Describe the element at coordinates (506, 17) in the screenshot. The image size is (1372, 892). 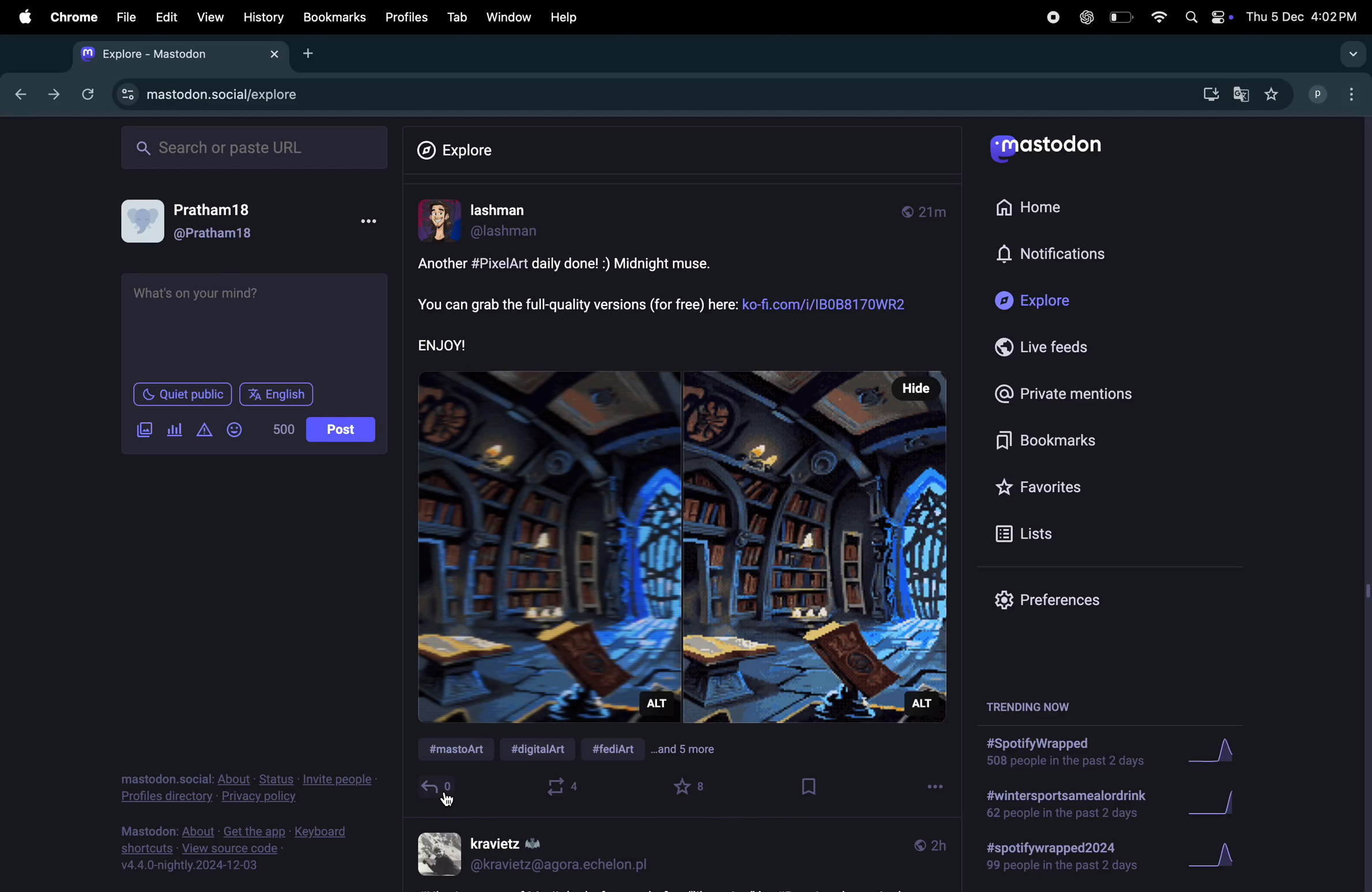
I see `Window` at that location.